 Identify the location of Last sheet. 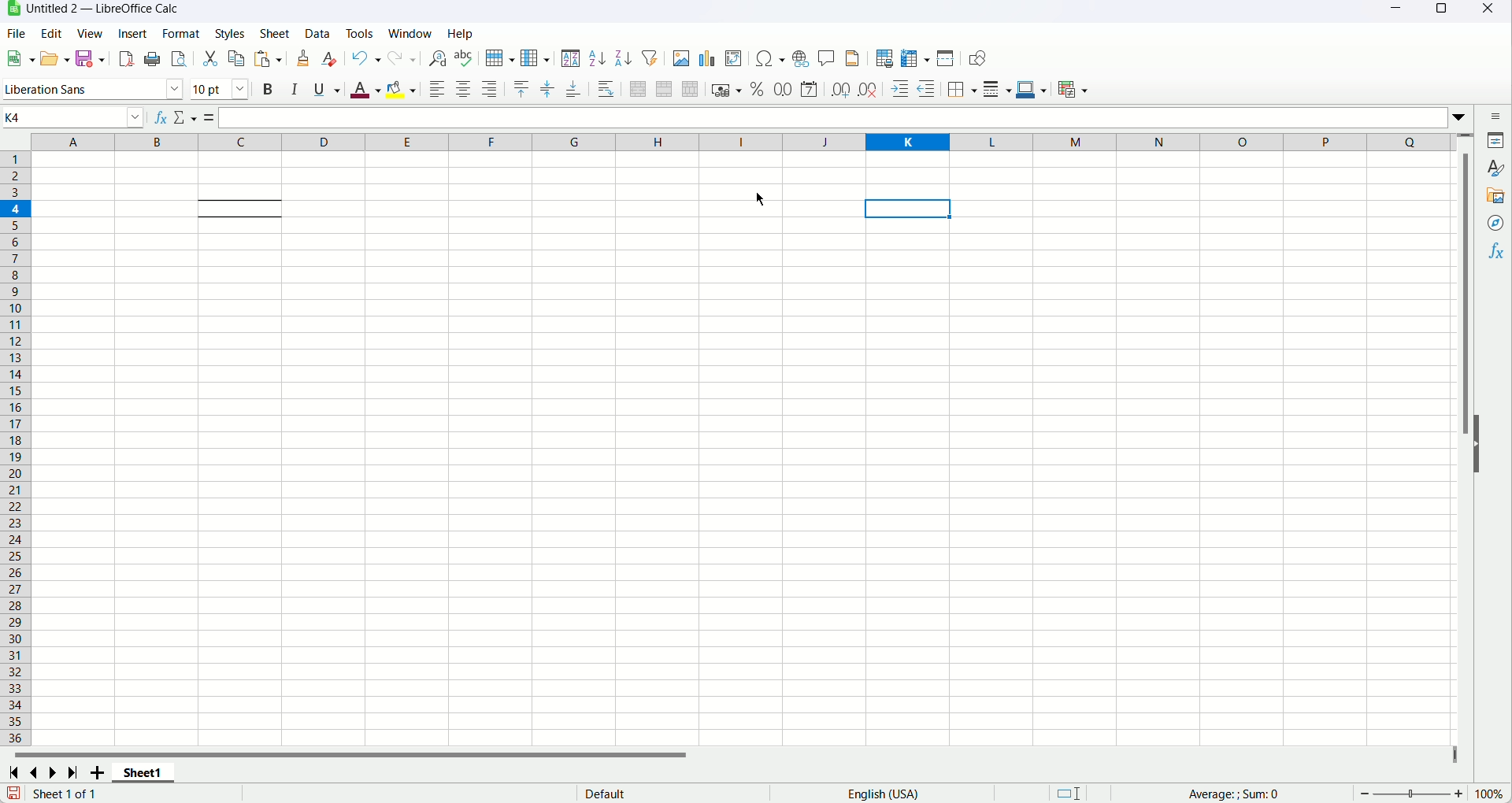
(74, 773).